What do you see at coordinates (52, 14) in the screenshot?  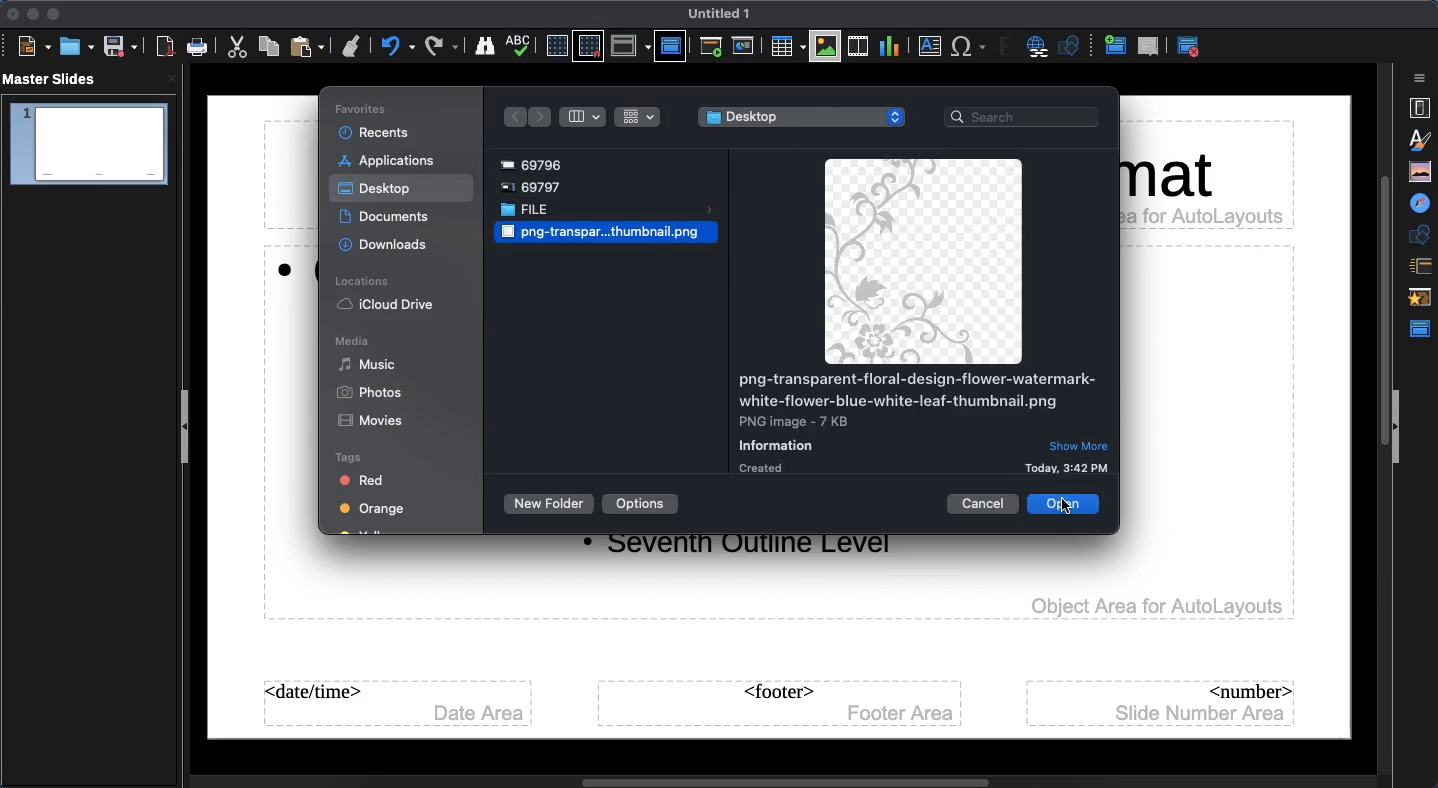 I see `Maximize` at bounding box center [52, 14].